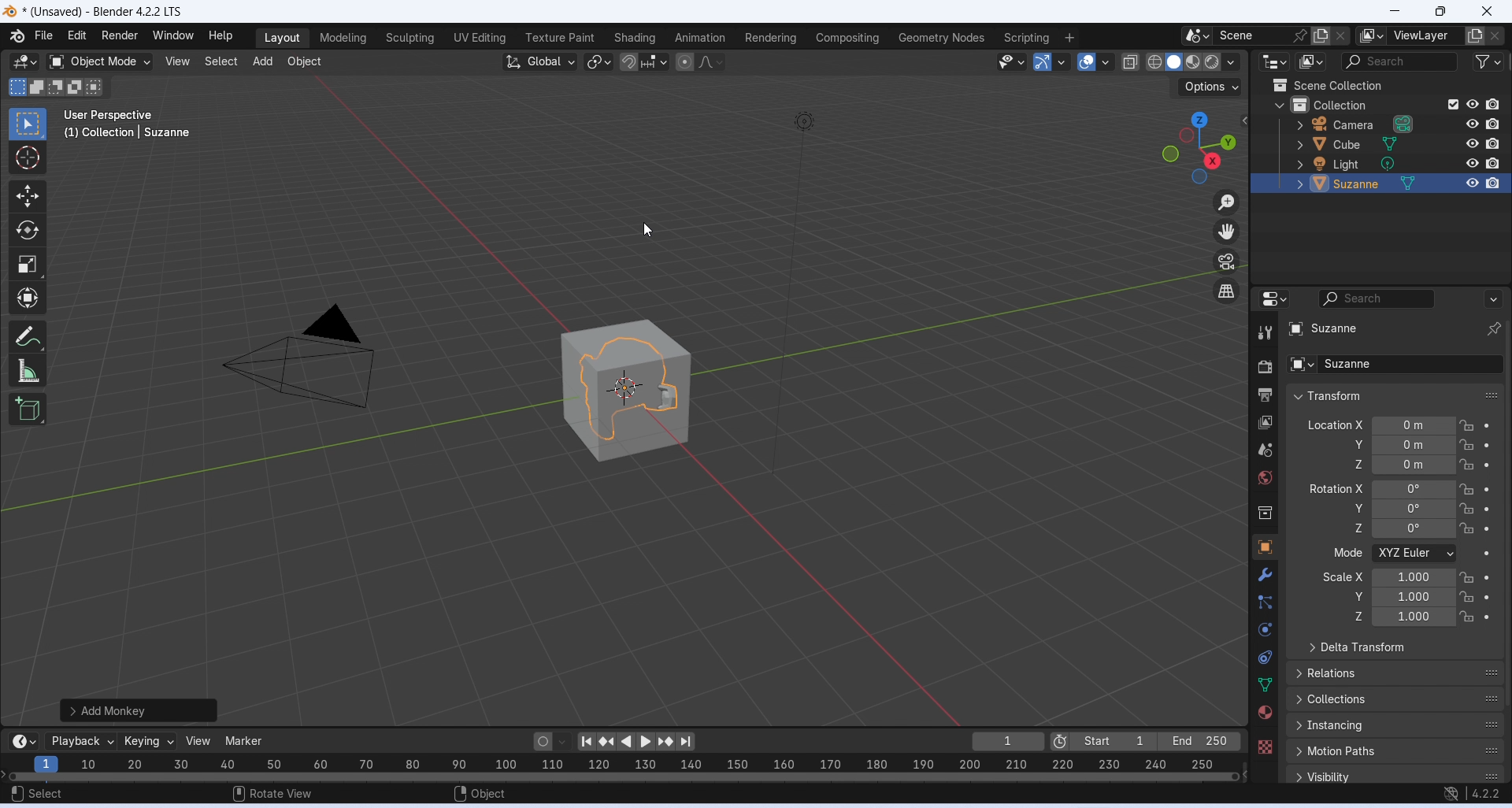  I want to click on Zoom in/out, so click(1226, 204).